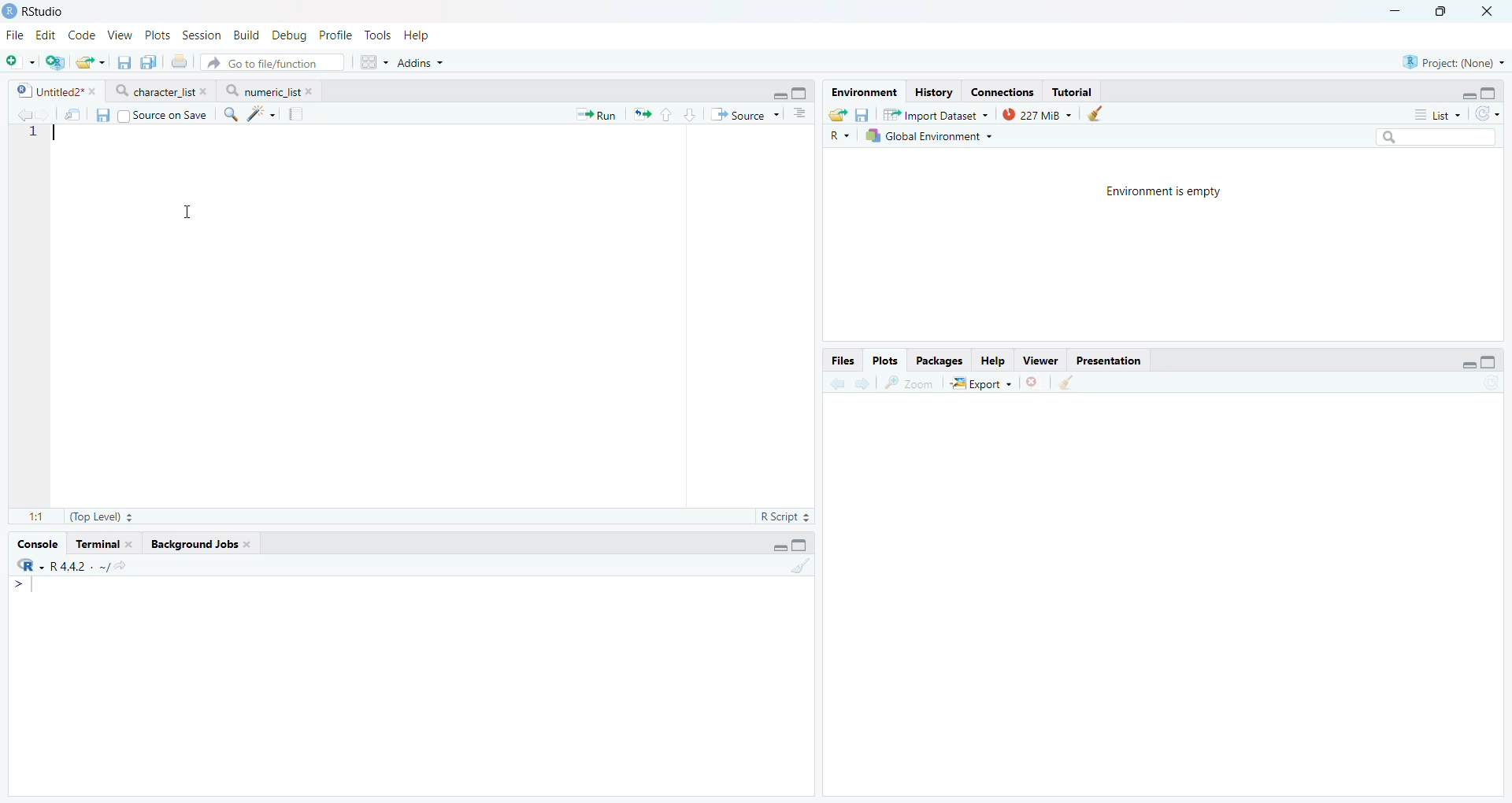 The image size is (1512, 803). Describe the element at coordinates (262, 114) in the screenshot. I see `Code Tools` at that location.